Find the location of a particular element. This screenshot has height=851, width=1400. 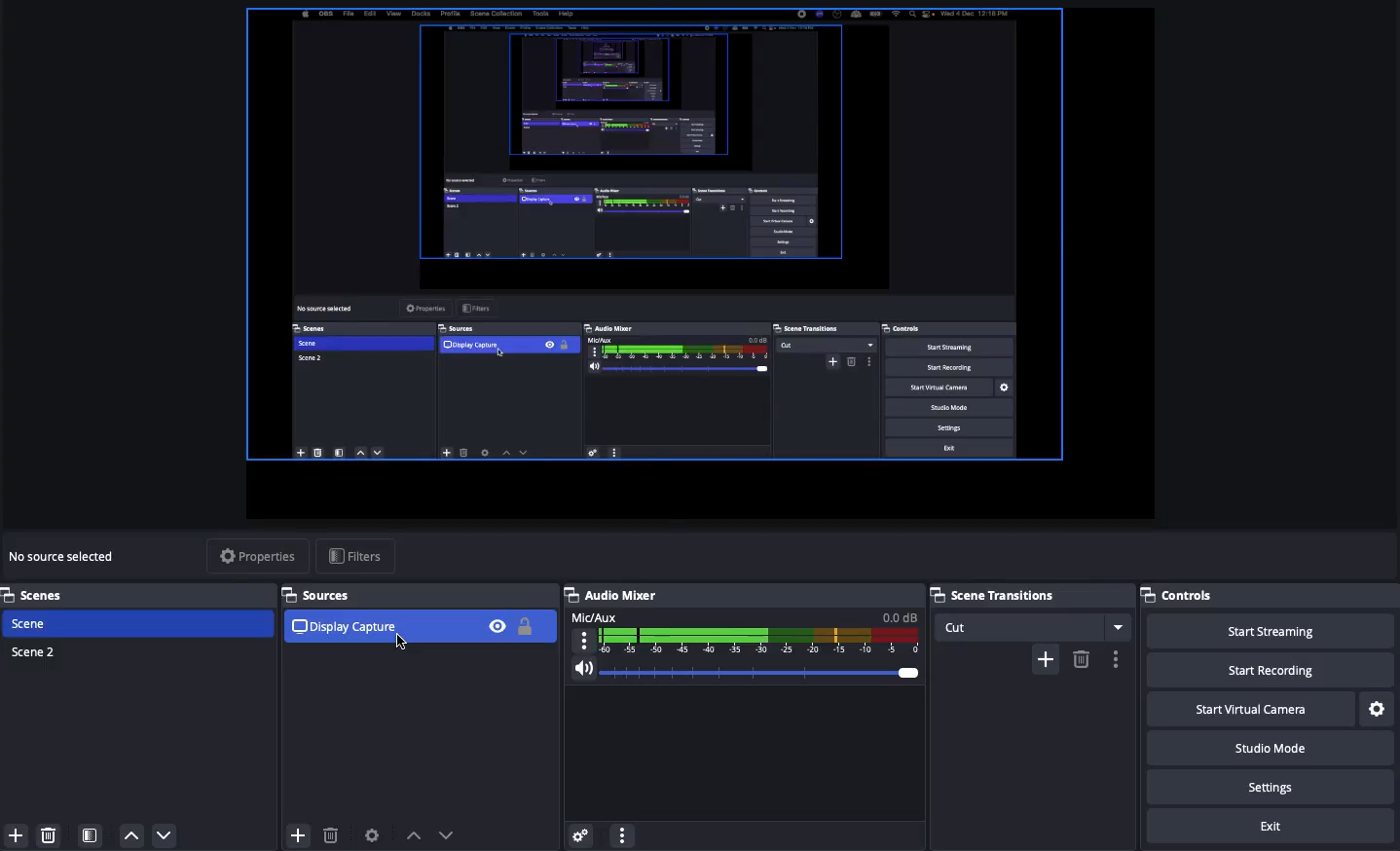

delete is located at coordinates (1081, 658).